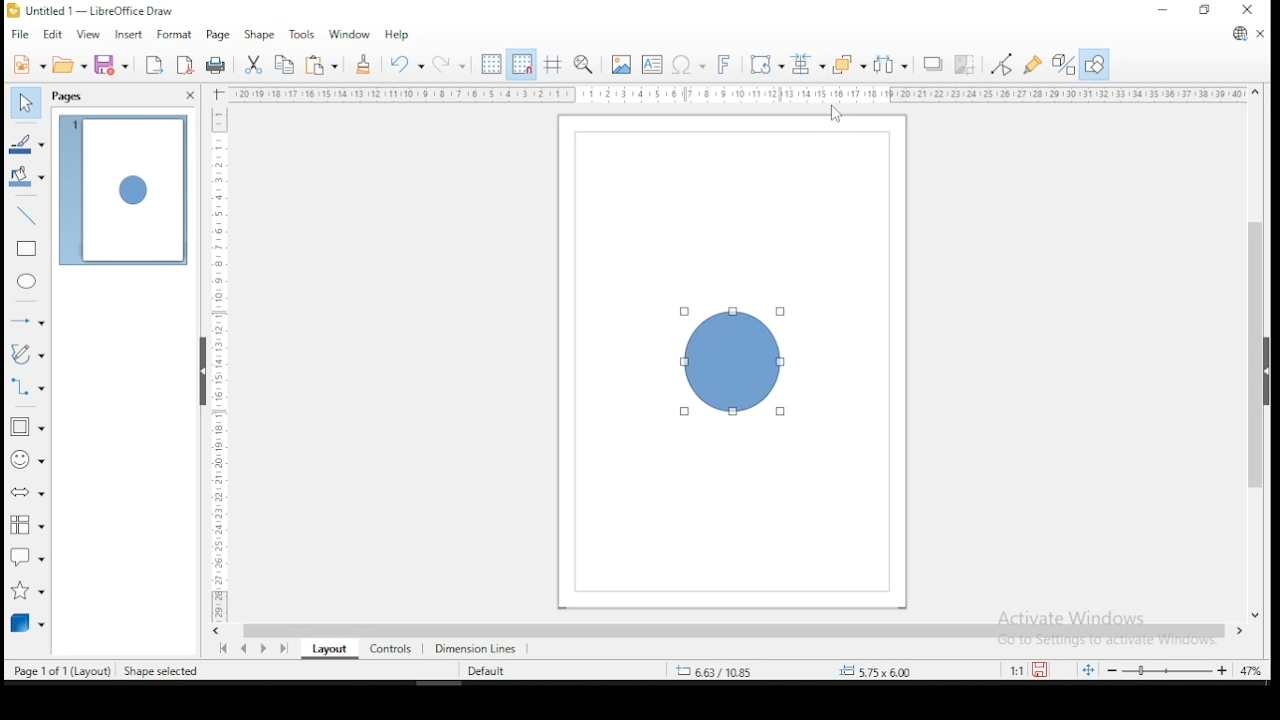 The image size is (1280, 720). I want to click on edit, so click(52, 35).